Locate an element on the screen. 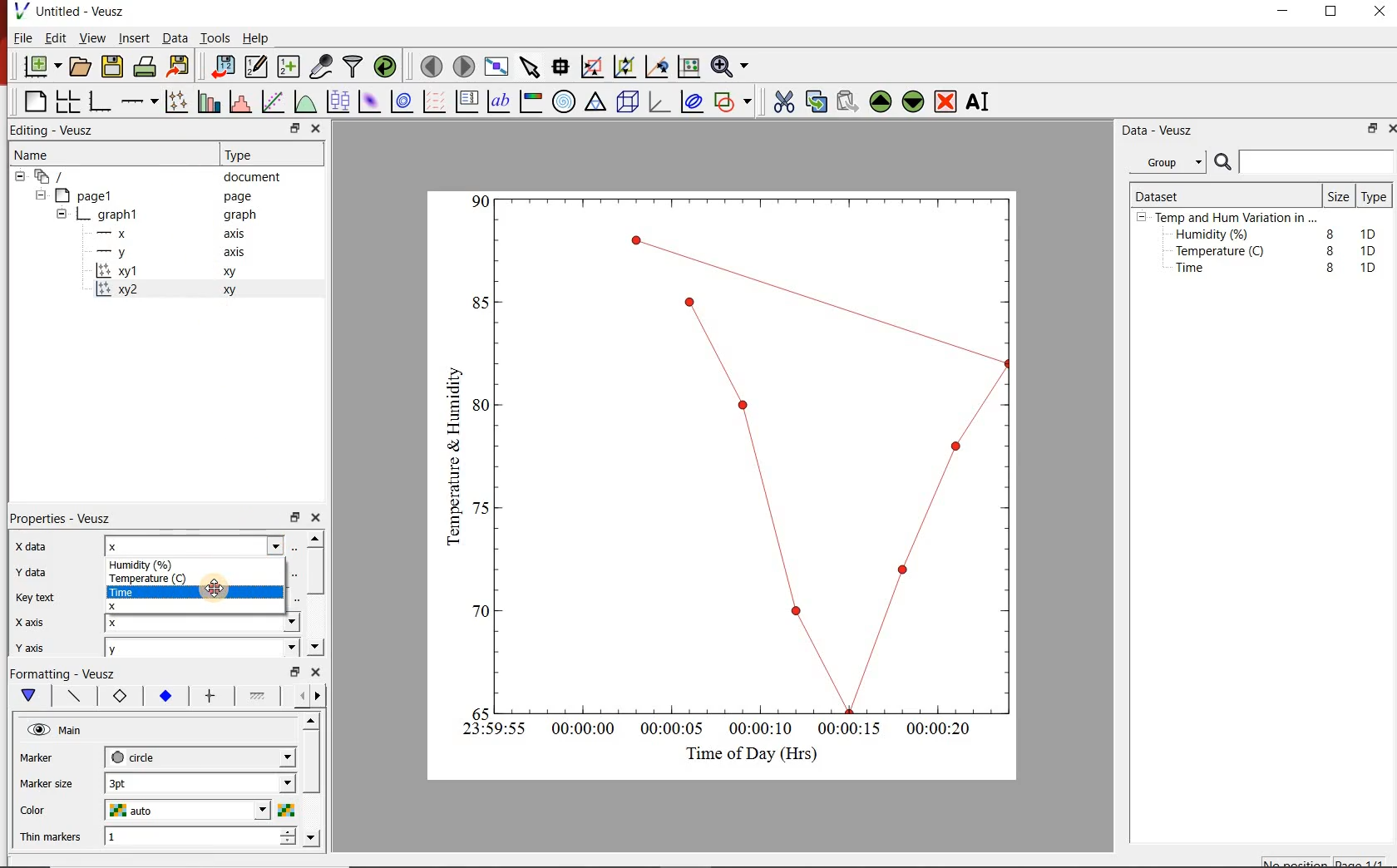  y axis is located at coordinates (42, 645).